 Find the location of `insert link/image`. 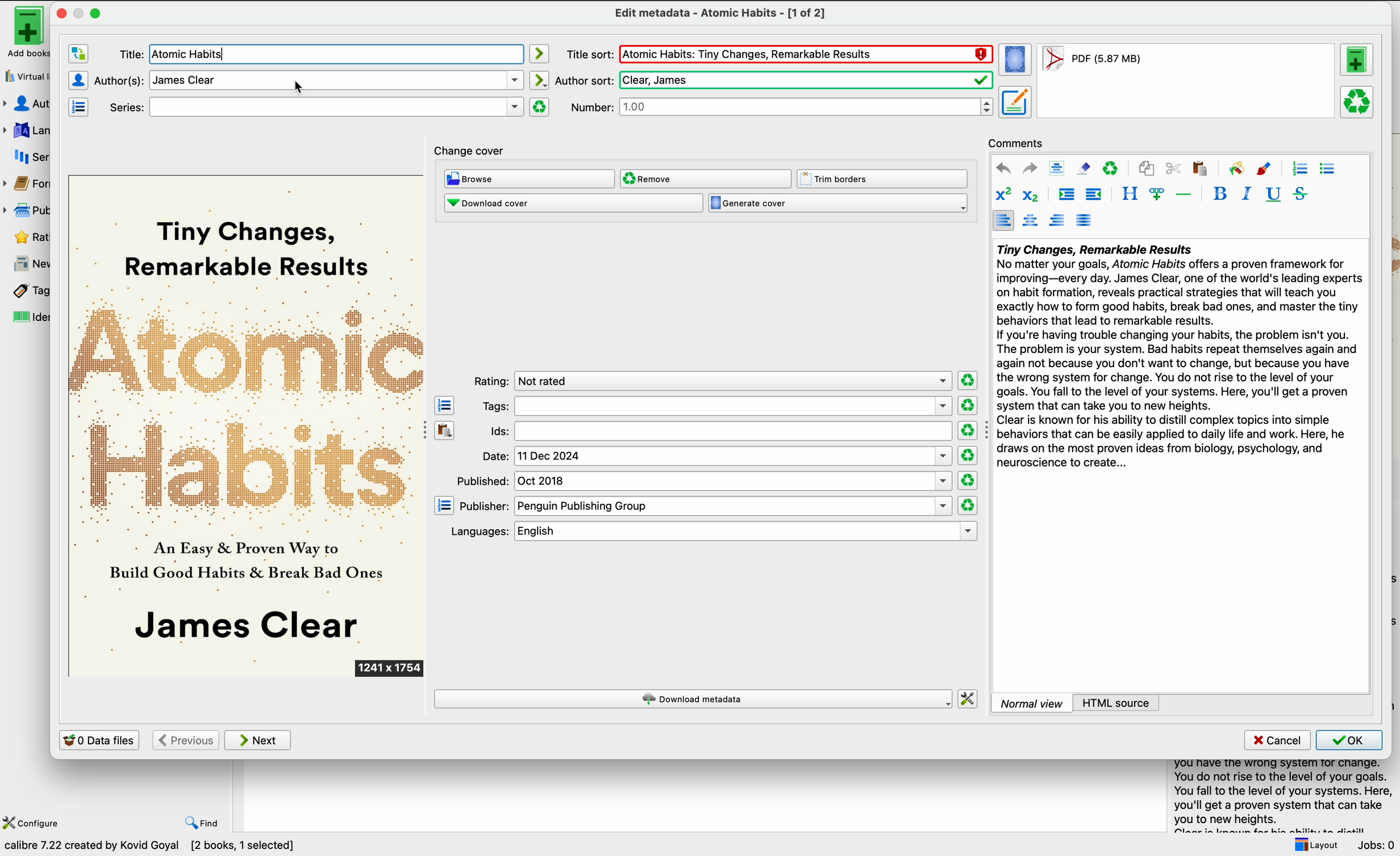

insert link/image is located at coordinates (1156, 195).